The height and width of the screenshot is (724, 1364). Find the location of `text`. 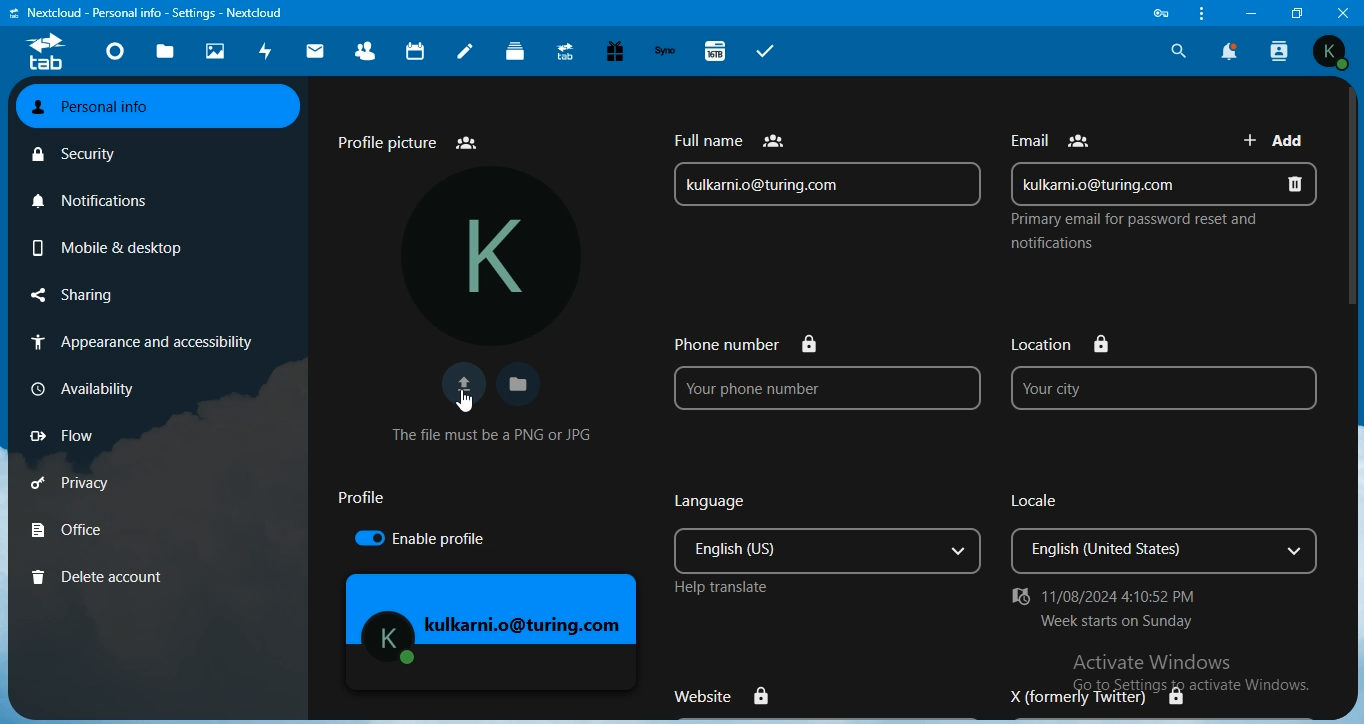

text is located at coordinates (1055, 135).